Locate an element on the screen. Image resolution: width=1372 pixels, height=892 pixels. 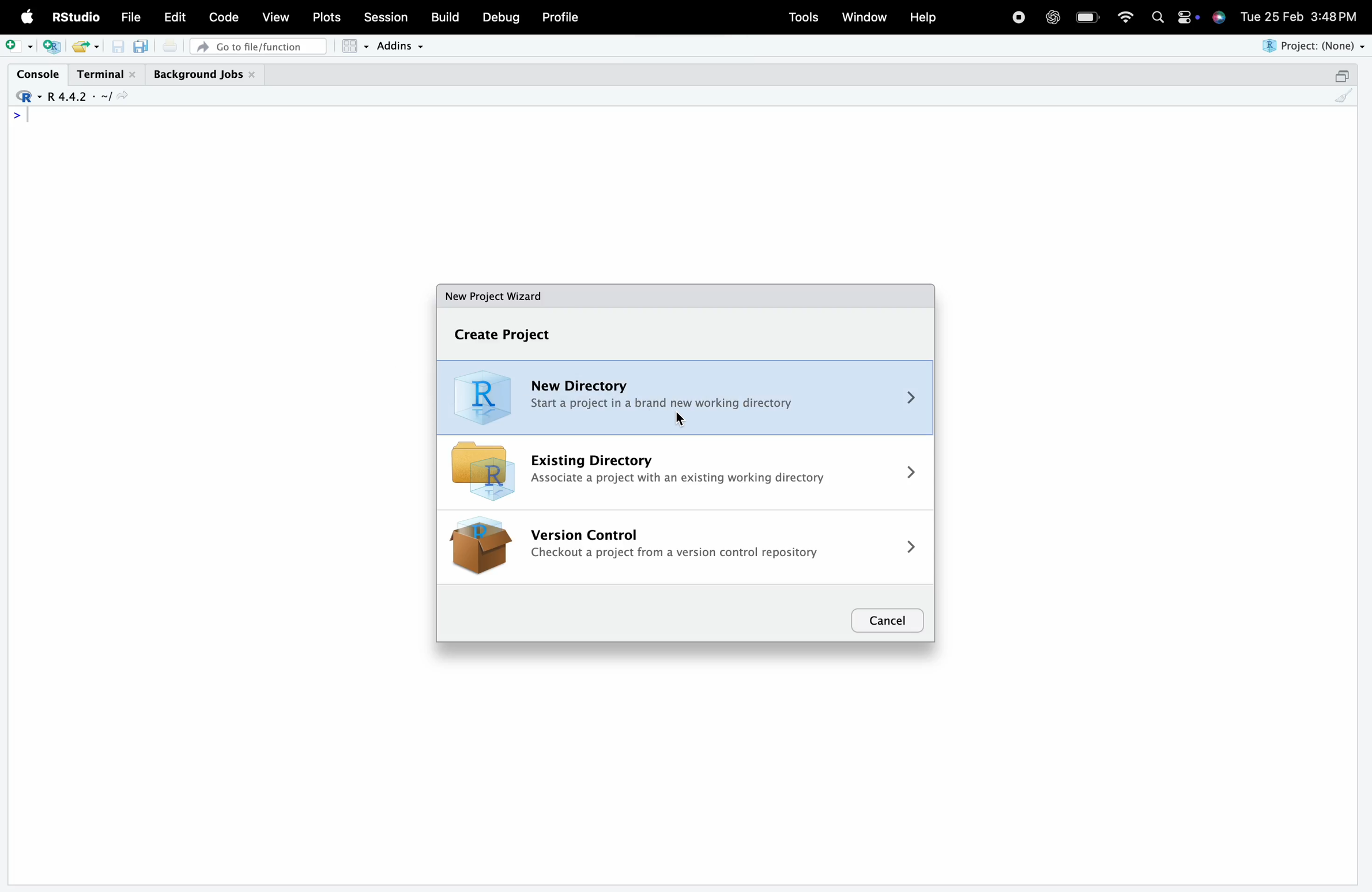
Window is located at coordinates (864, 16).